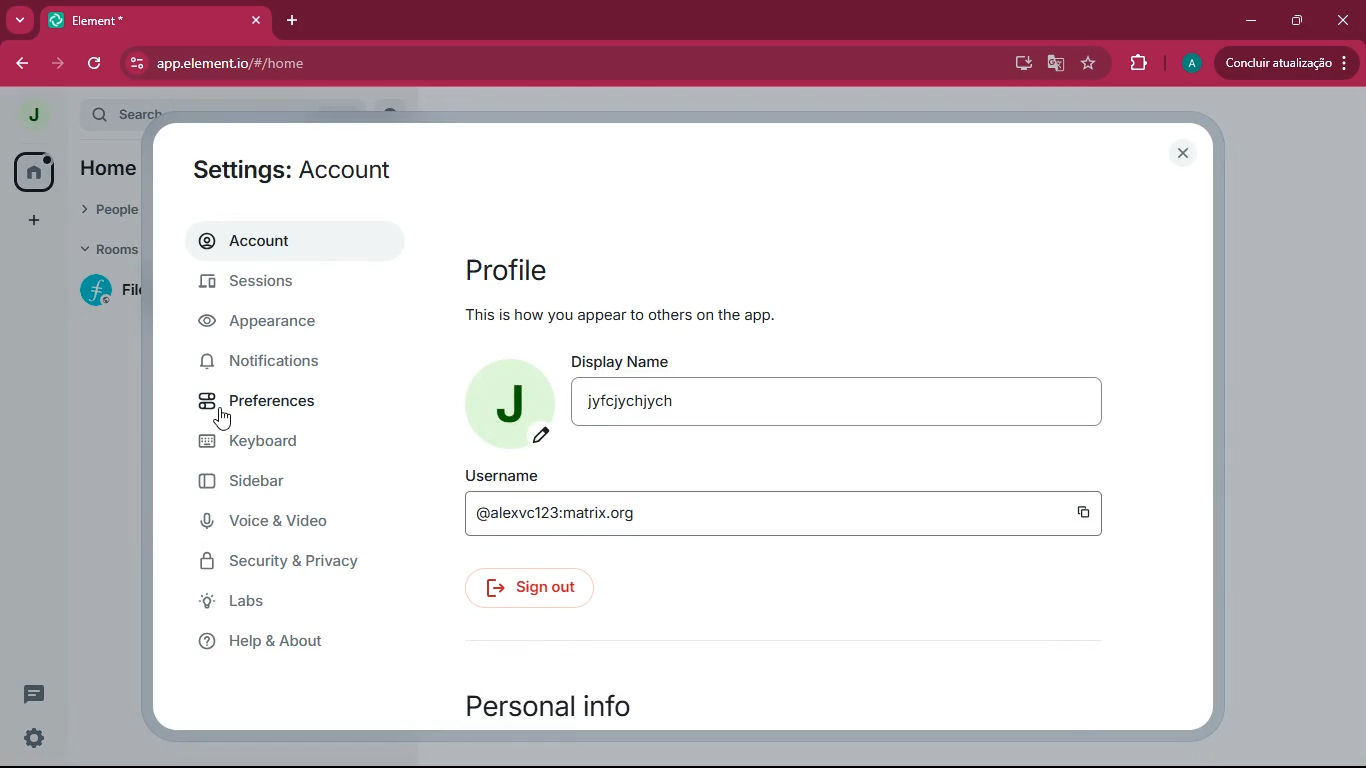 The height and width of the screenshot is (768, 1366). What do you see at coordinates (1294, 21) in the screenshot?
I see `restore down` at bounding box center [1294, 21].